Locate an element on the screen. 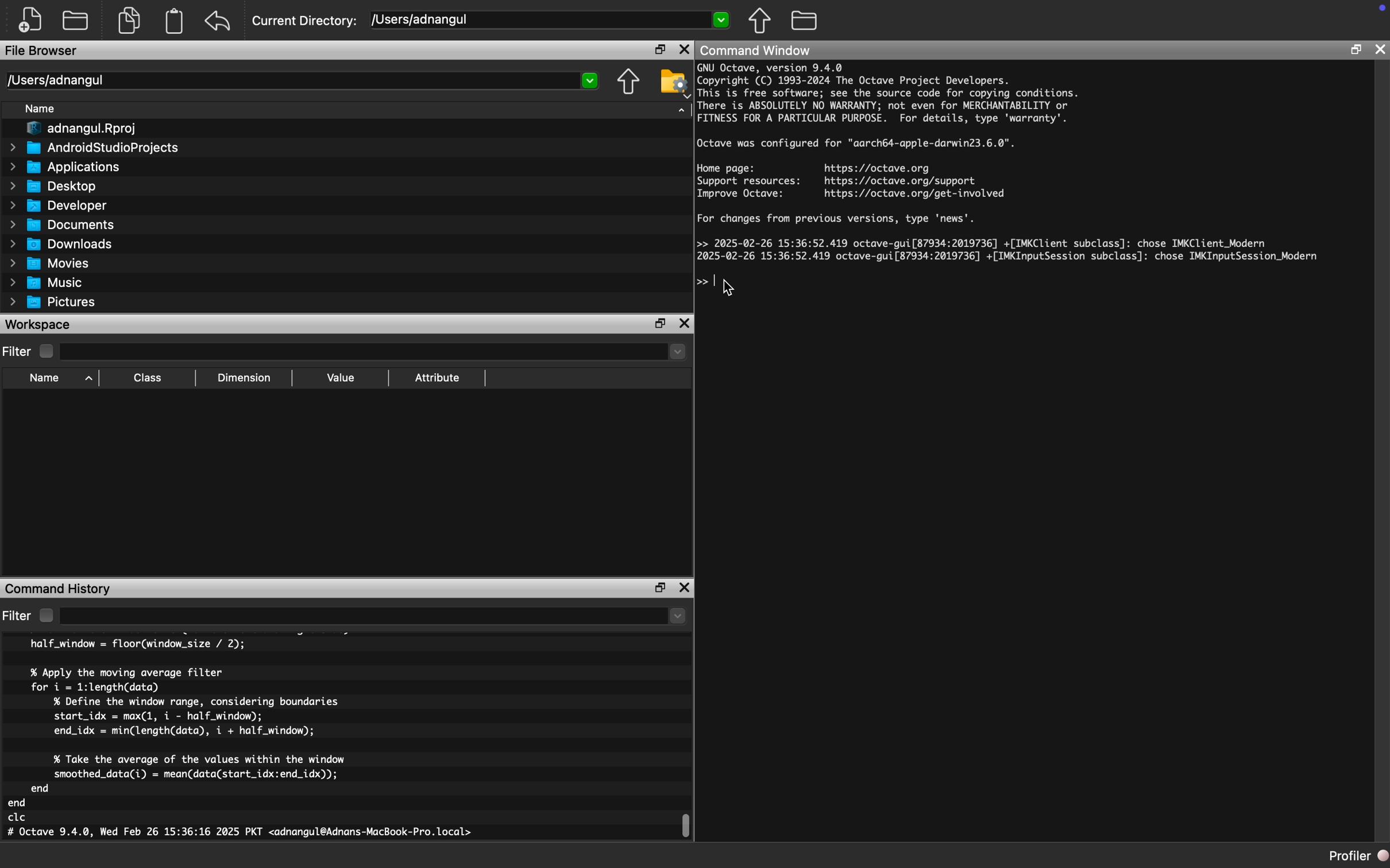 Image resolution: width=1390 pixels, height=868 pixels. Command History is located at coordinates (58, 589).